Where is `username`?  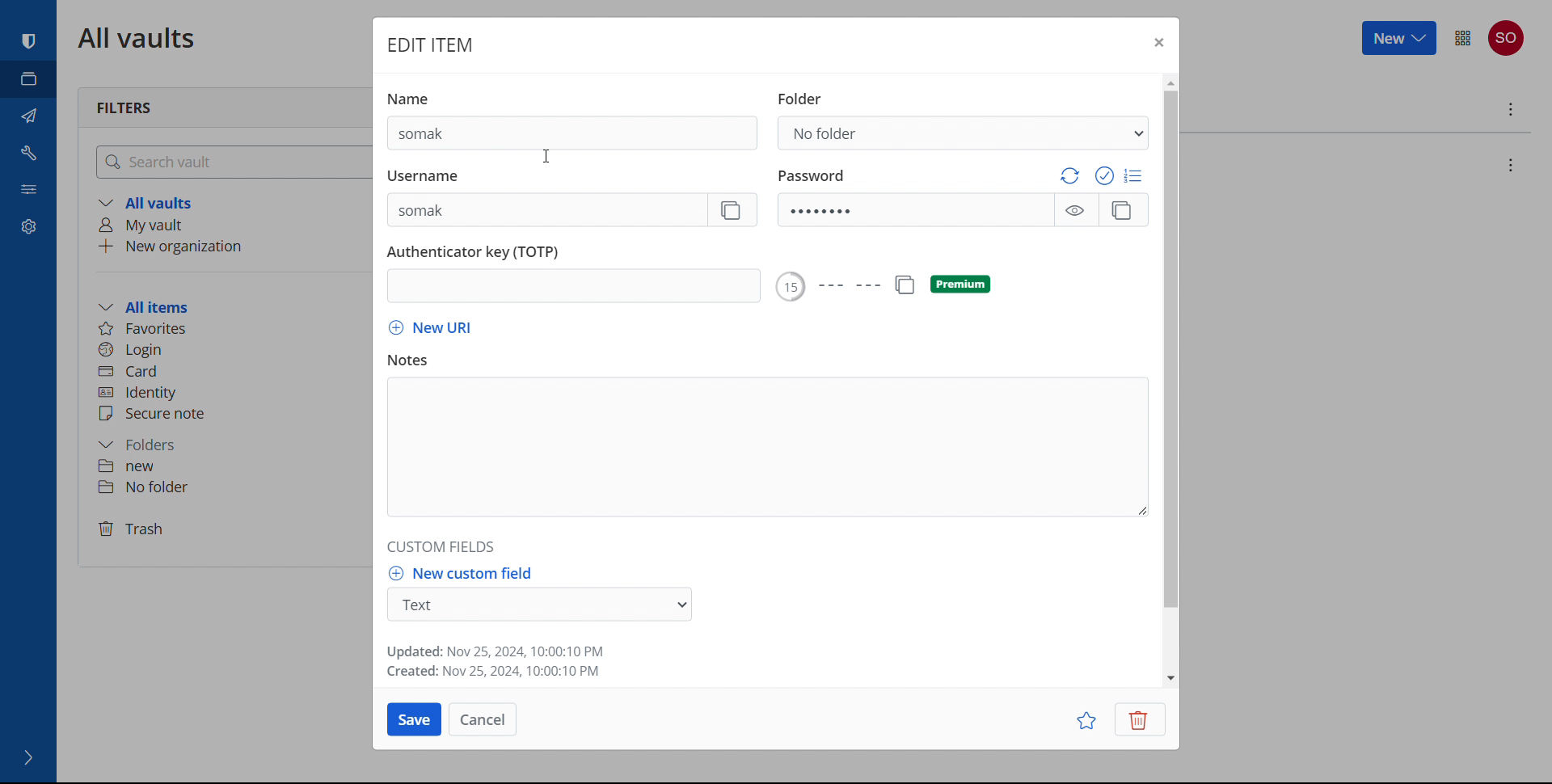
username is located at coordinates (434, 176).